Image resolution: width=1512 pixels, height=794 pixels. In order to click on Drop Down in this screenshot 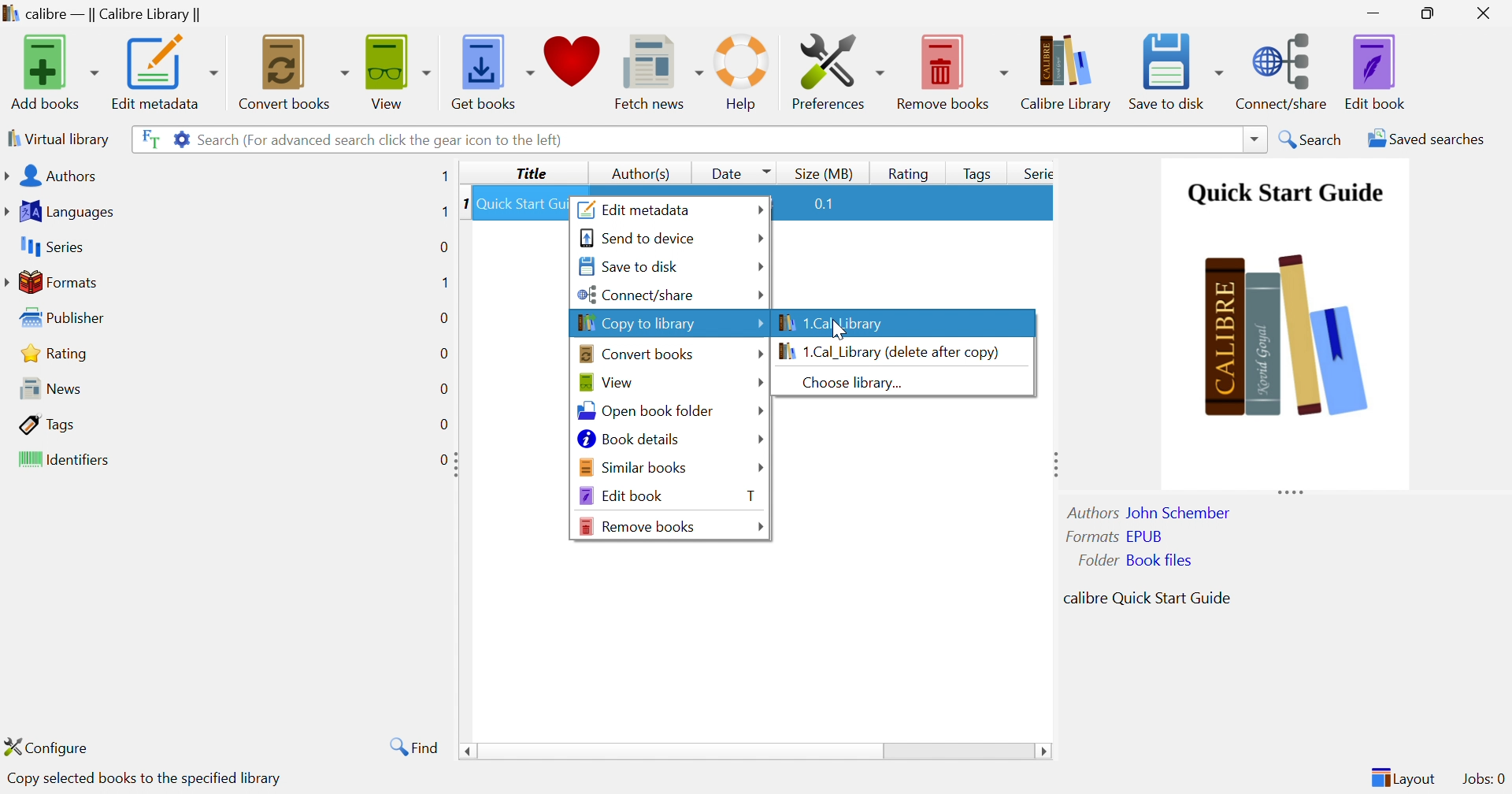, I will do `click(680, 753)`.